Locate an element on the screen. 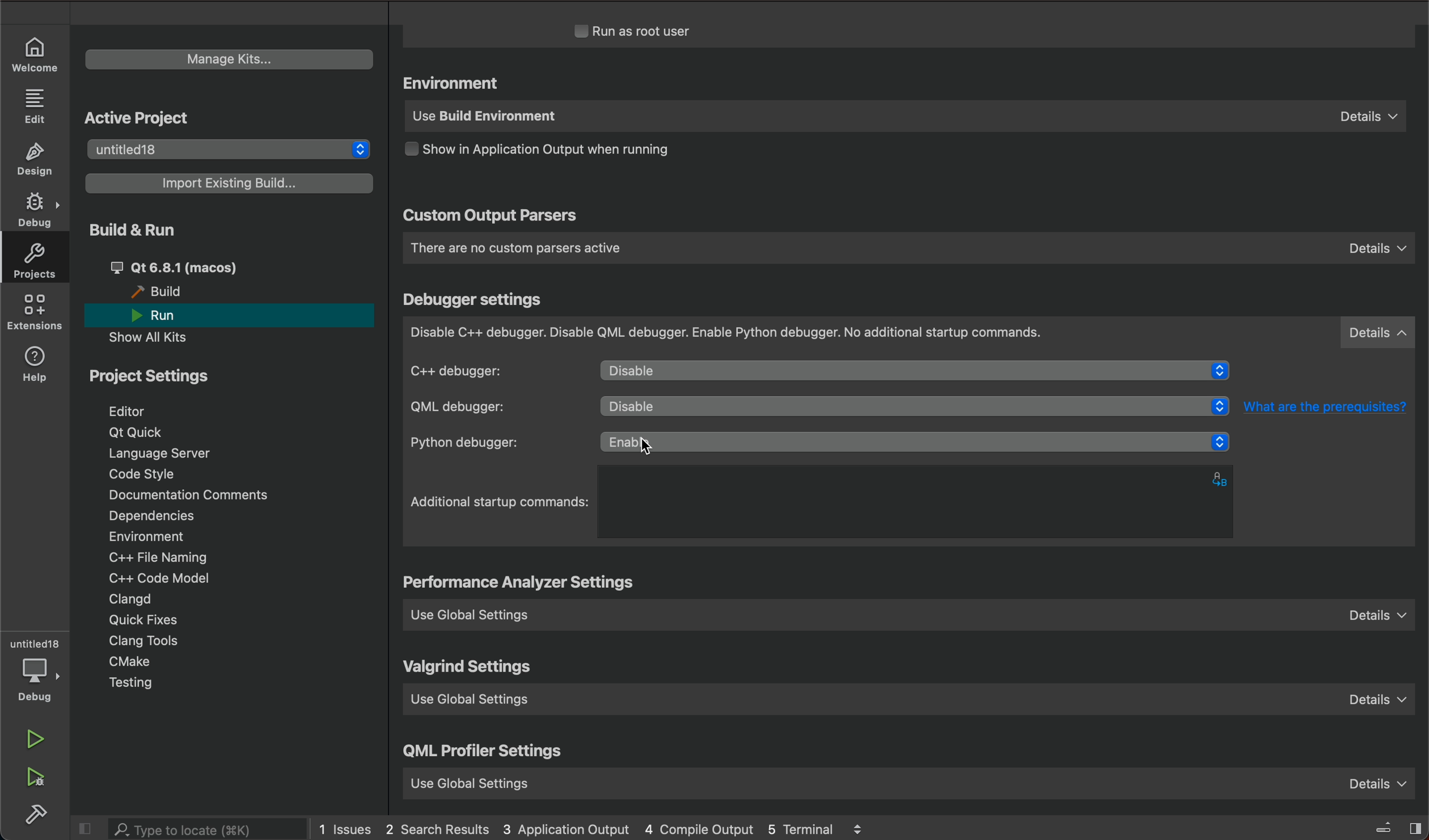 The height and width of the screenshot is (840, 1429). settings is located at coordinates (523, 584).